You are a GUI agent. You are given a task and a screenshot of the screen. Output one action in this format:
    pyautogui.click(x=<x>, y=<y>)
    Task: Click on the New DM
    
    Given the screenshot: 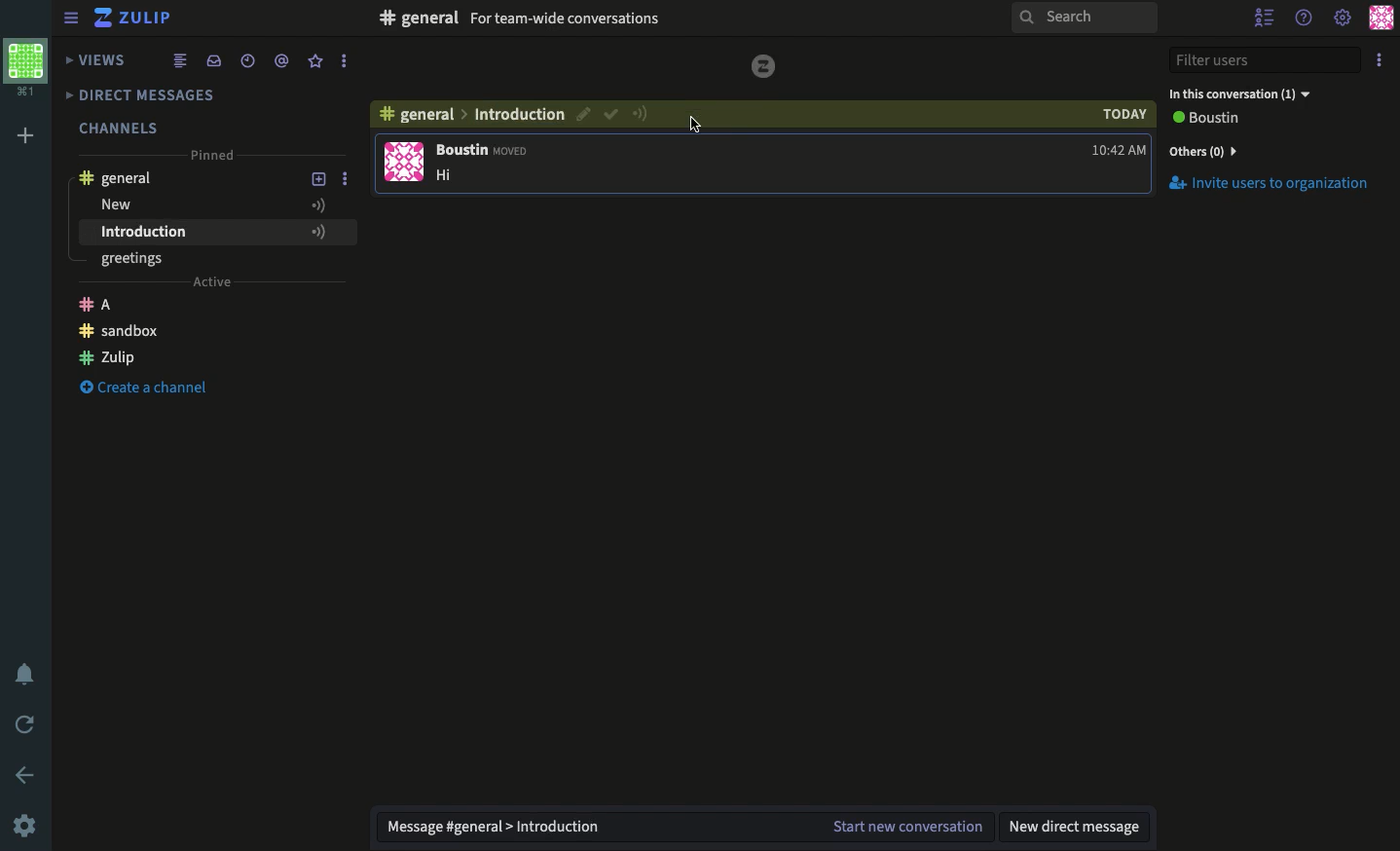 What is the action you would take?
    pyautogui.click(x=1079, y=828)
    